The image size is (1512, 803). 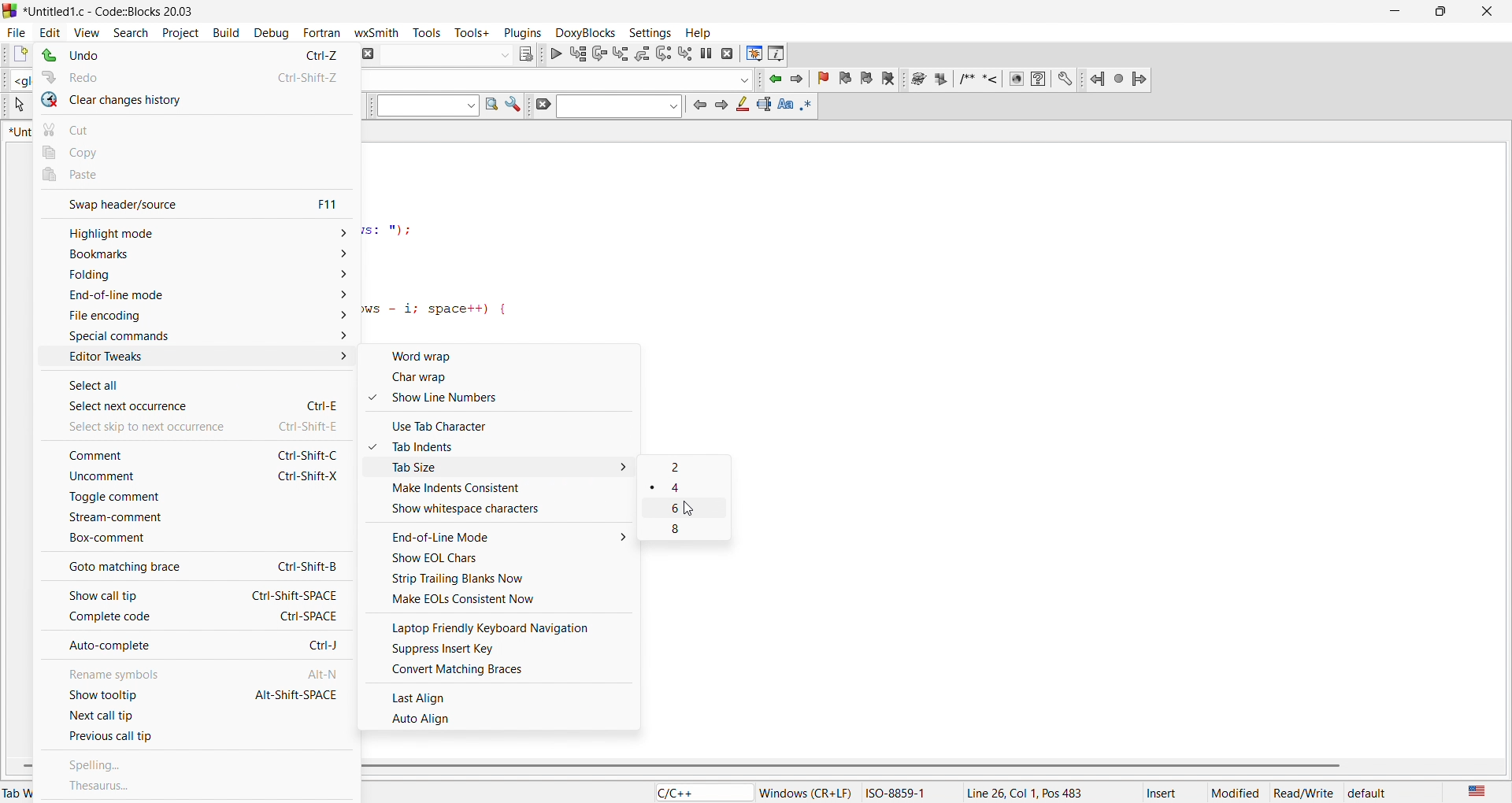 What do you see at coordinates (702, 32) in the screenshot?
I see `help` at bounding box center [702, 32].